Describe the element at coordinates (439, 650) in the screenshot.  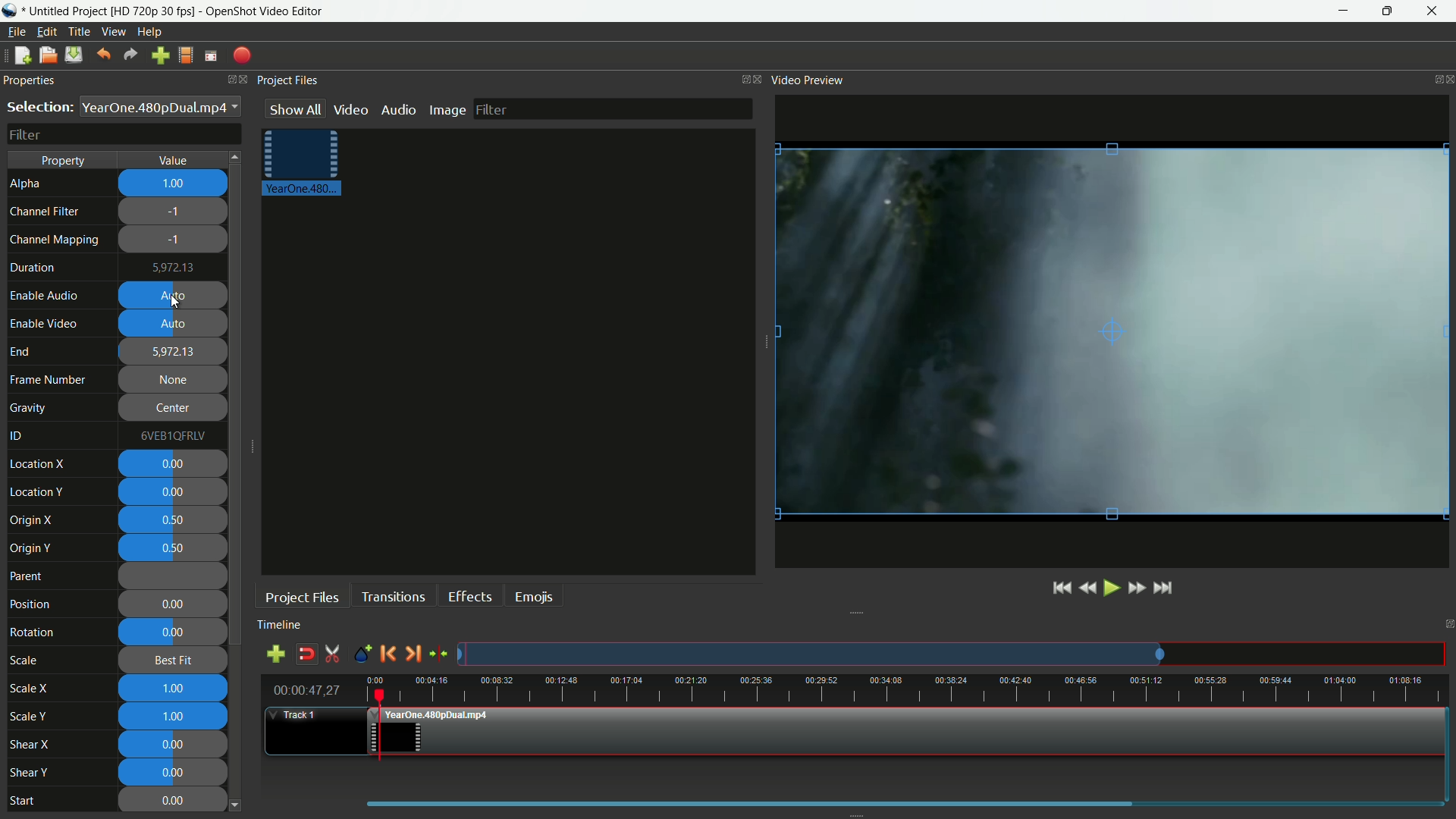
I see `center the timeline on the playhead` at that location.